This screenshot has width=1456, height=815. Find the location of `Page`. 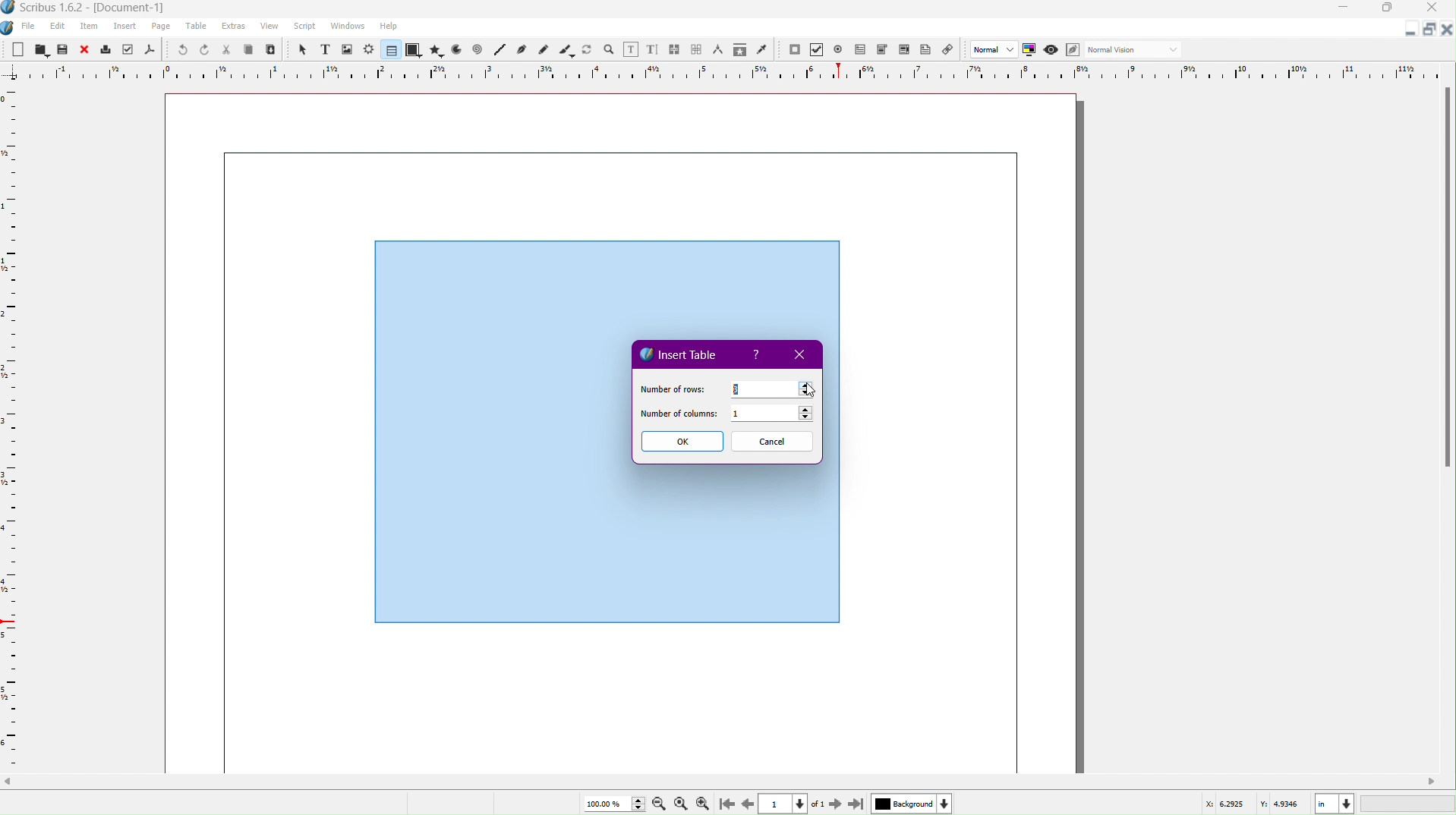

Page is located at coordinates (162, 27).